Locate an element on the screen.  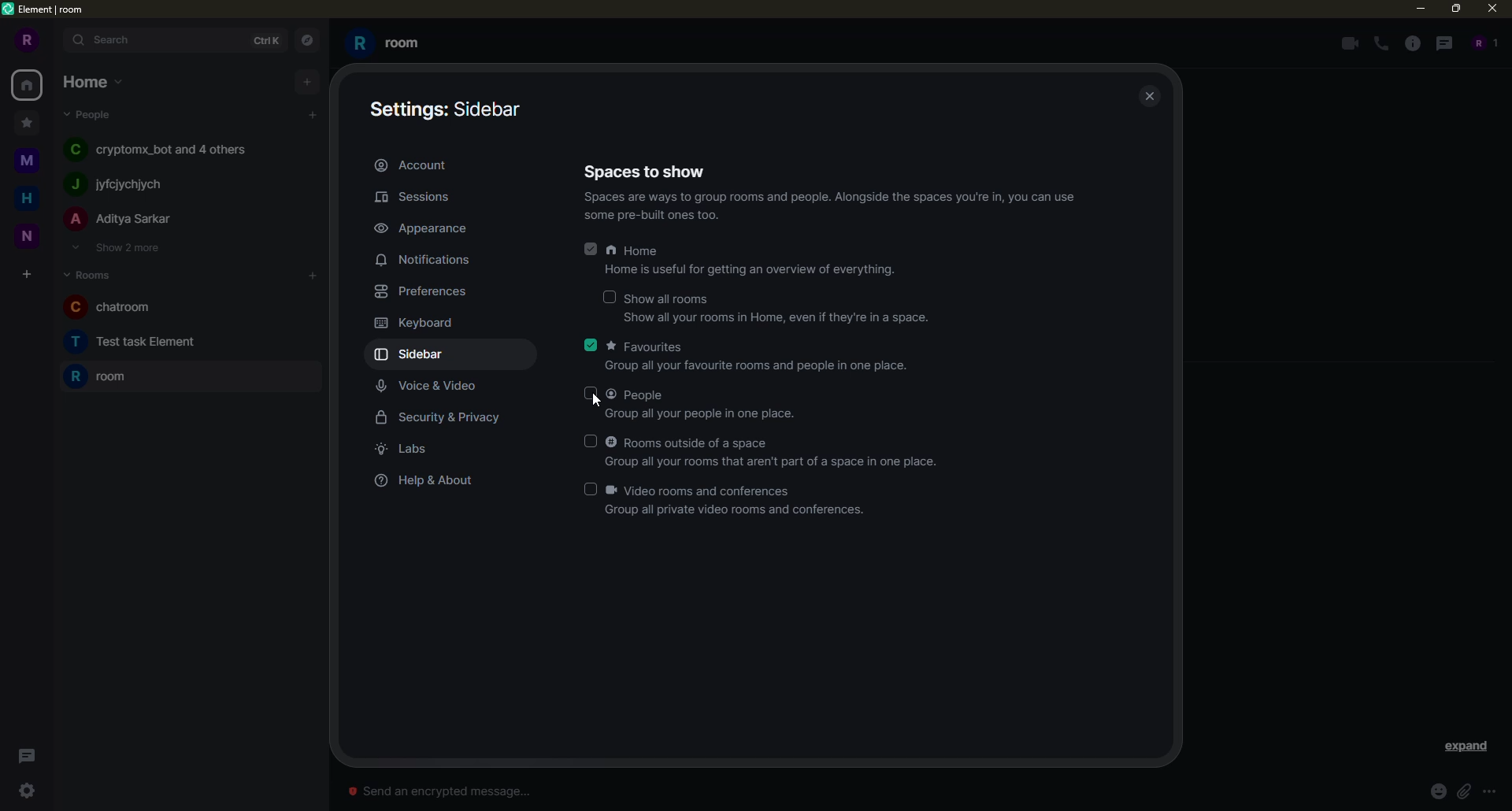
home is located at coordinates (28, 84).